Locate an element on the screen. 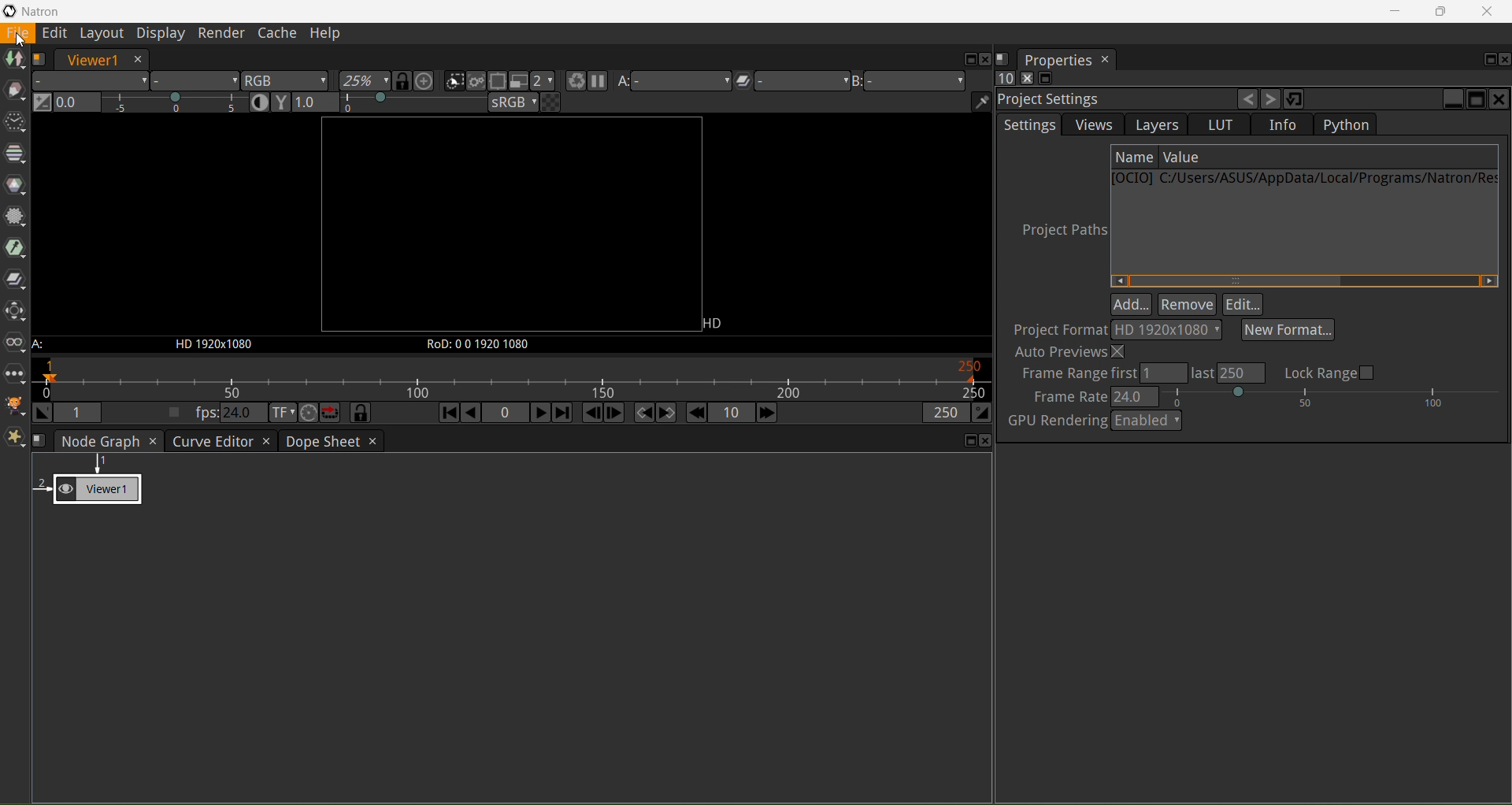 The height and width of the screenshot is (805, 1512). Proxy mode is located at coordinates (519, 81).